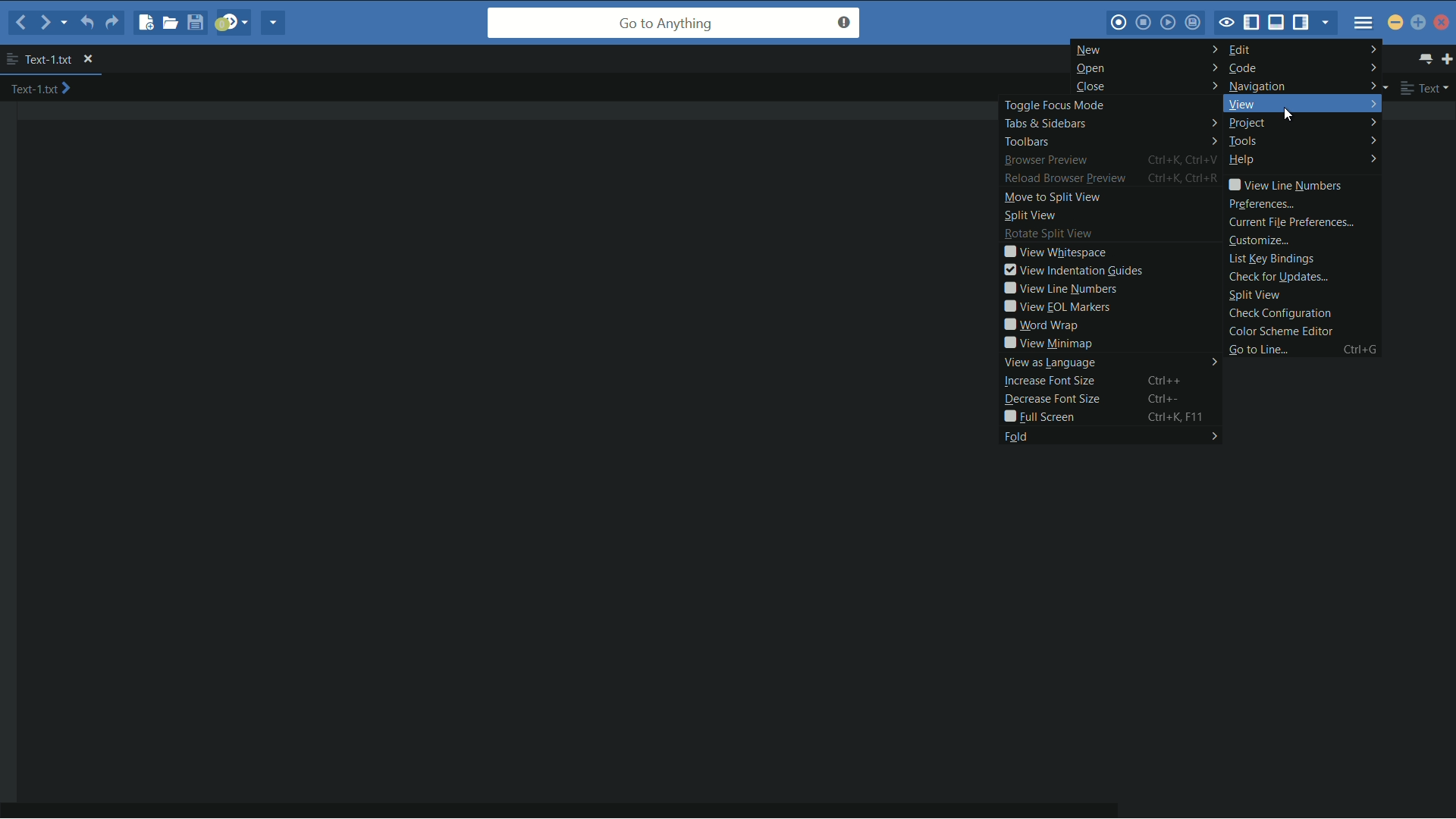 This screenshot has width=1456, height=819. I want to click on undo, so click(88, 23).